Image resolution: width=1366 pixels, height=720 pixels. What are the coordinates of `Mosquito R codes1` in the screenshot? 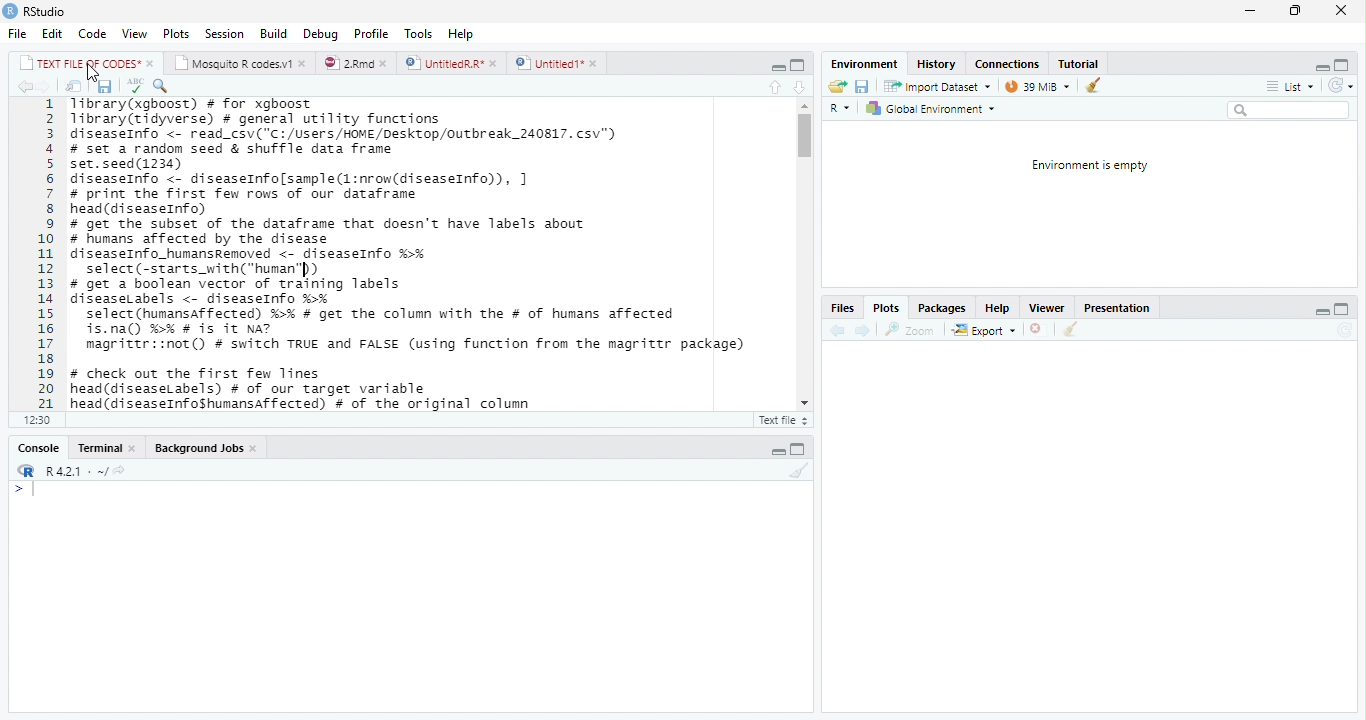 It's located at (241, 63).